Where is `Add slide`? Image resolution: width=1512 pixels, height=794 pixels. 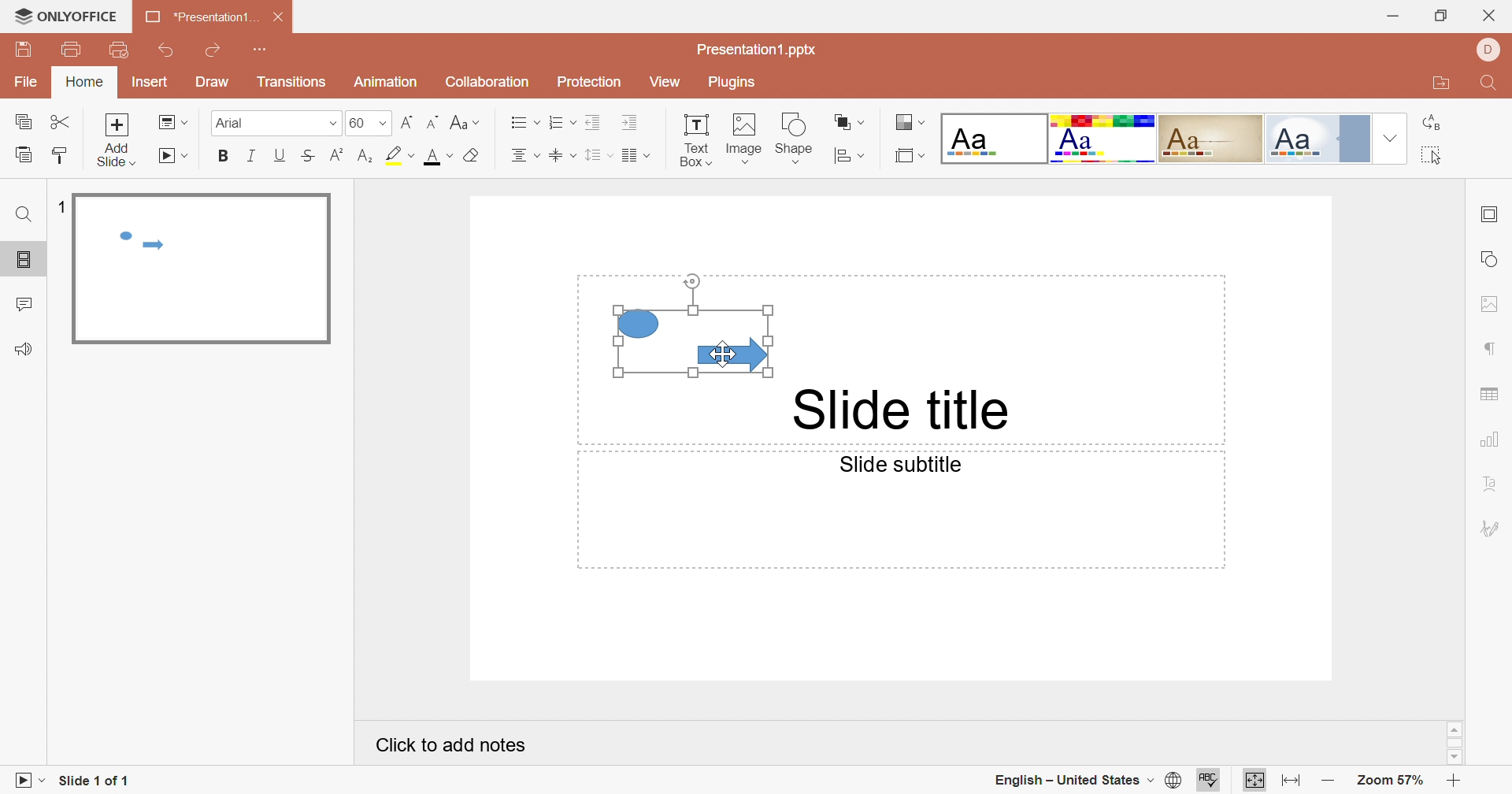 Add slide is located at coordinates (115, 142).